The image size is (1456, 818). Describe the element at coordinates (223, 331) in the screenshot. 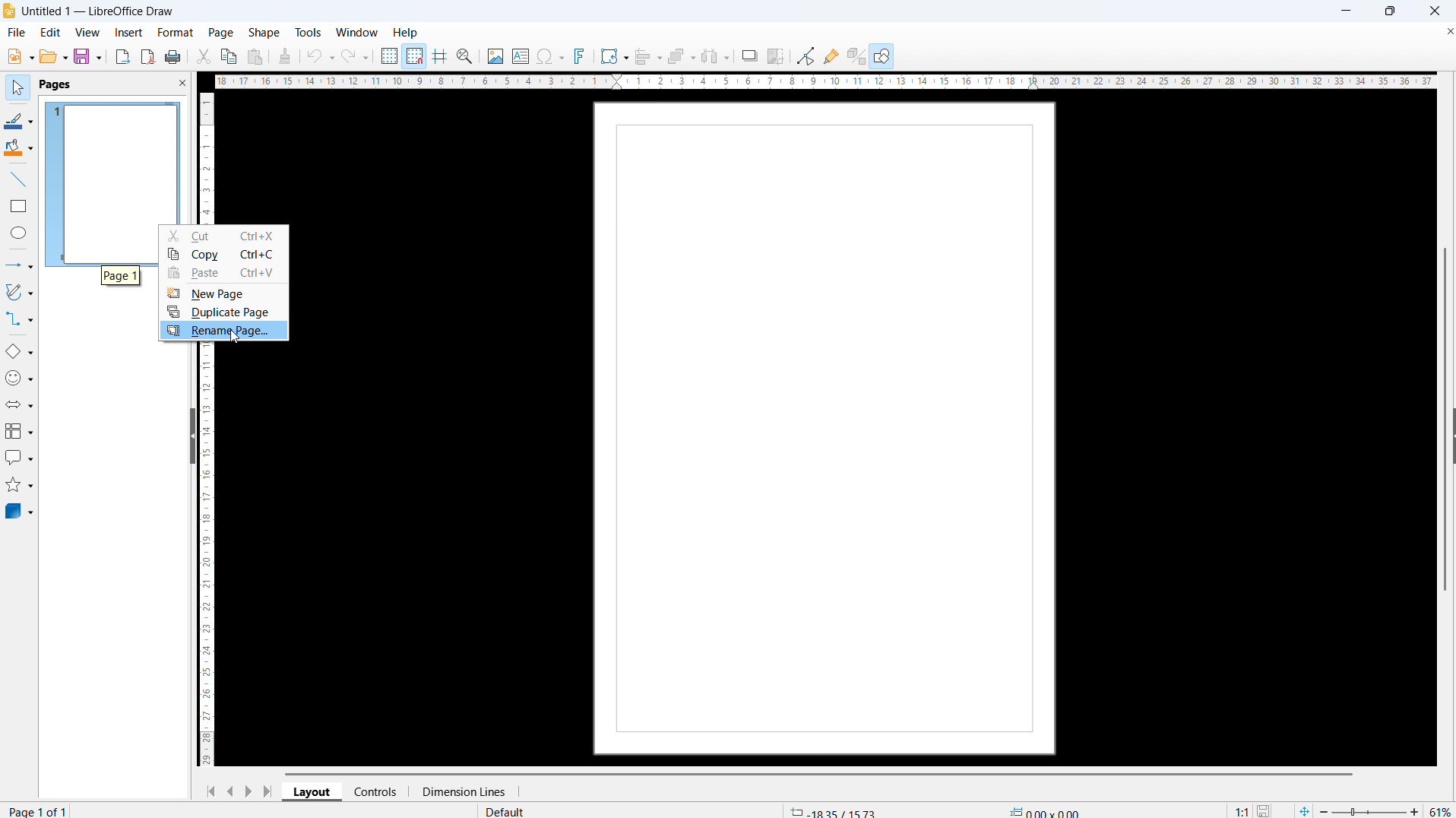

I see `rename page` at that location.